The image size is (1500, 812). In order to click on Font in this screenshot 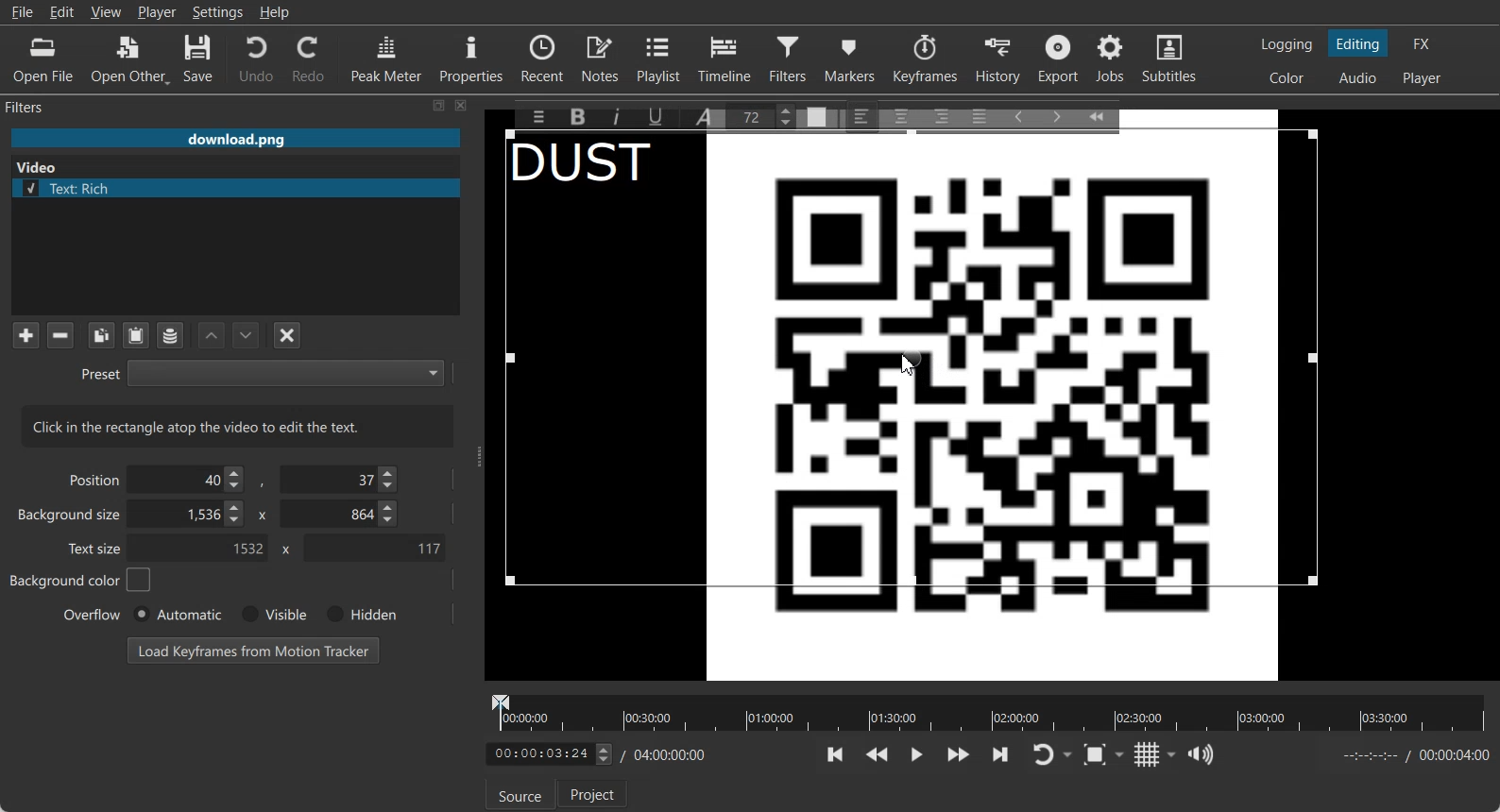, I will do `click(707, 115)`.